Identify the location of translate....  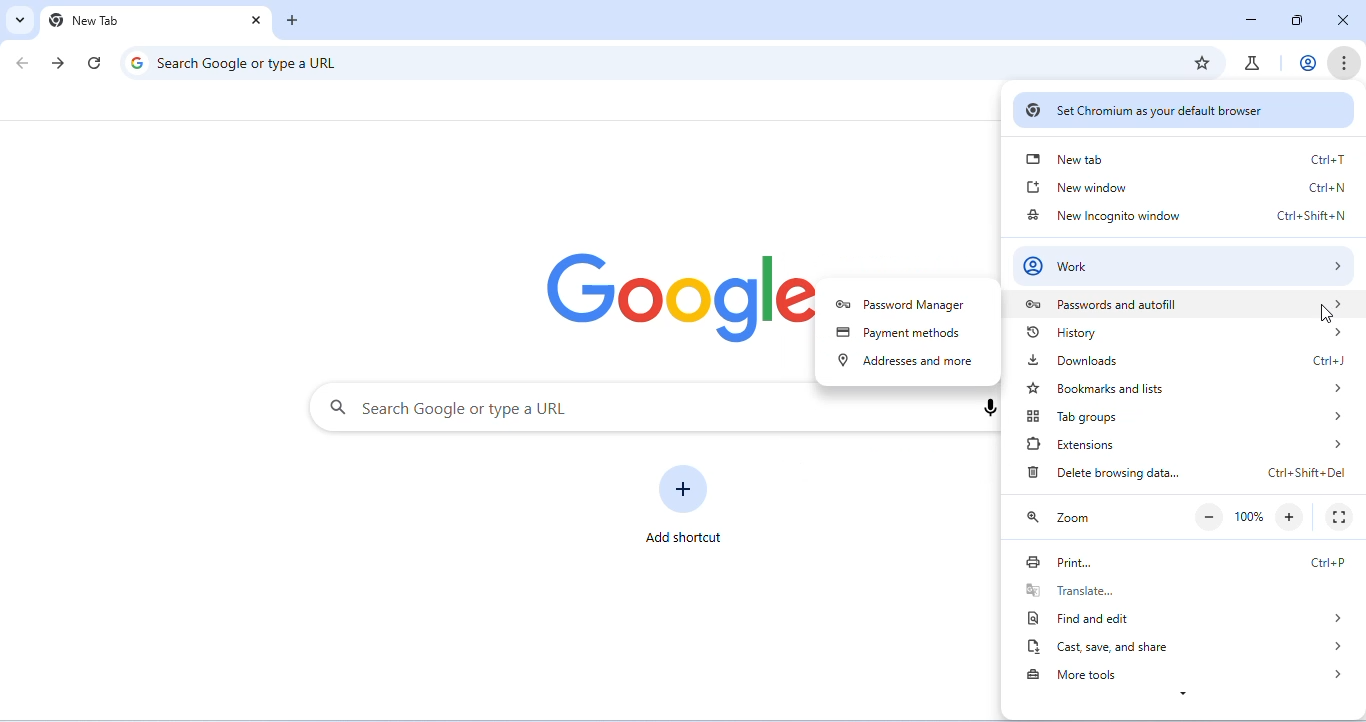
(1181, 589).